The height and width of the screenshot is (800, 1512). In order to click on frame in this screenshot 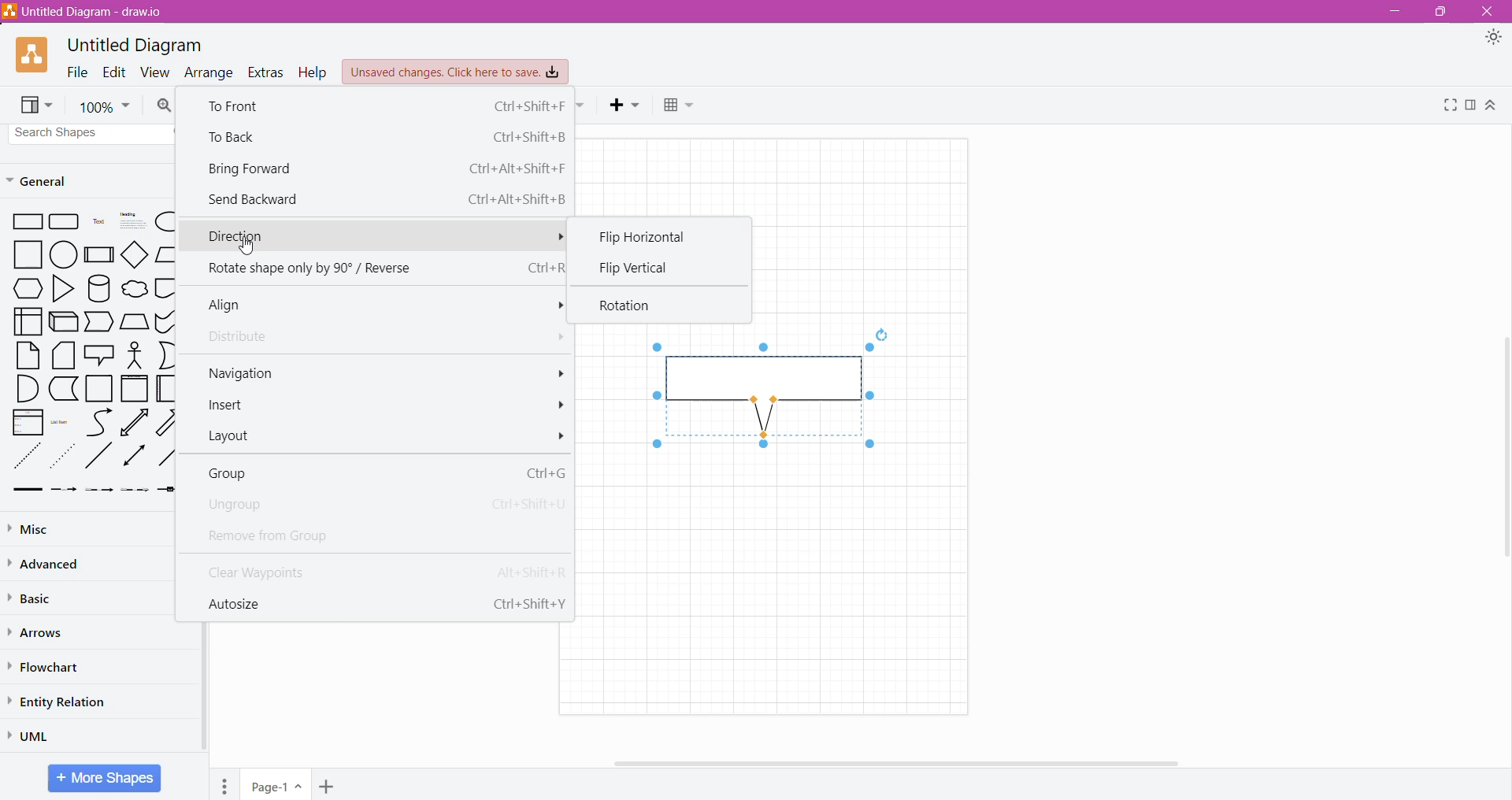, I will do `click(135, 388)`.